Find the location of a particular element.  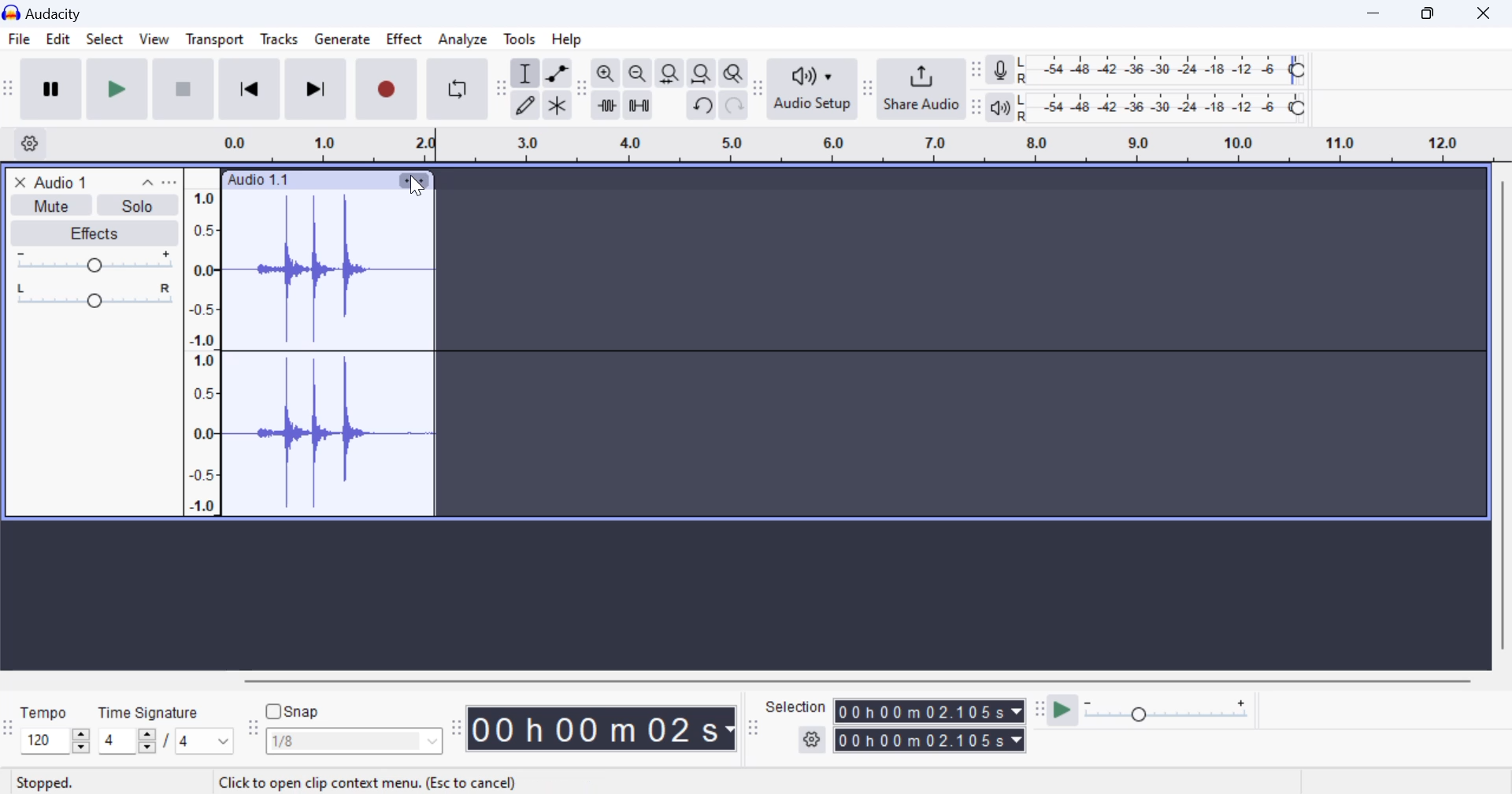

Selected Clip Length is located at coordinates (932, 728).